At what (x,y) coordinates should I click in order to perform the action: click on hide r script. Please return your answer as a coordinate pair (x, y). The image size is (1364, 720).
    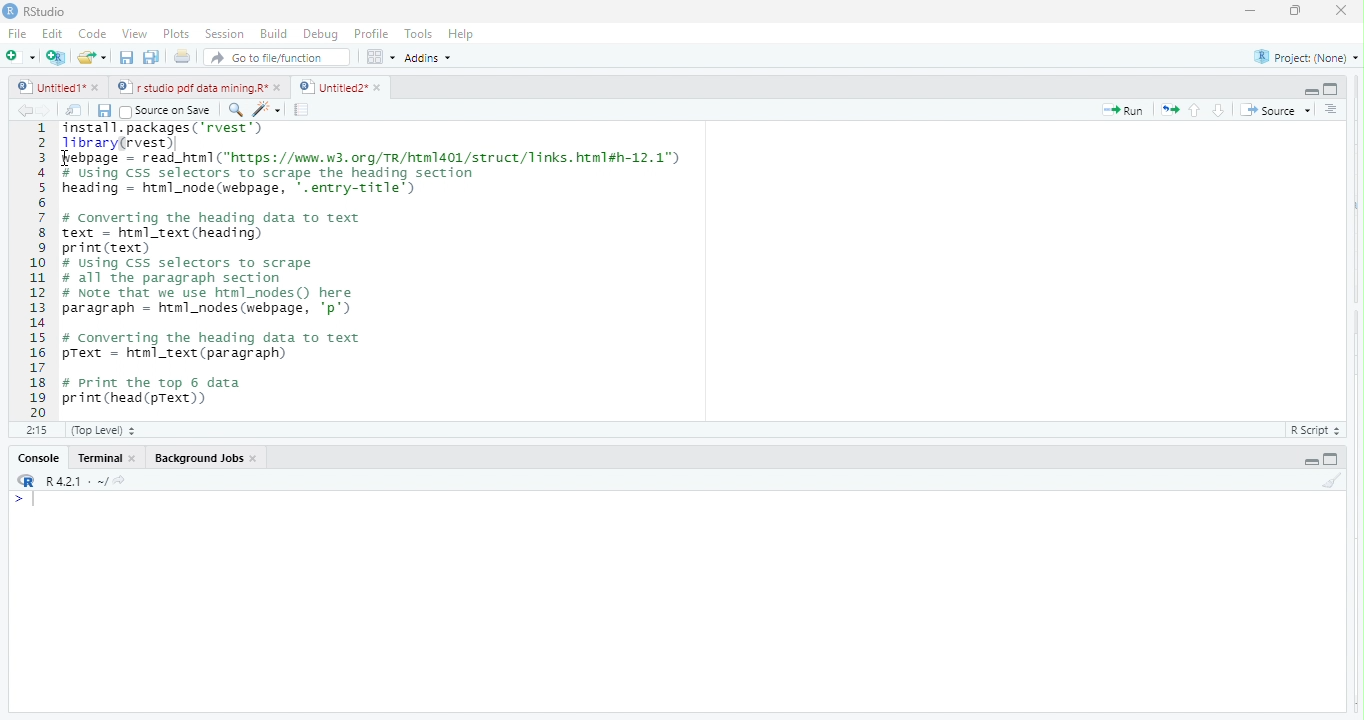
    Looking at the image, I should click on (1309, 89).